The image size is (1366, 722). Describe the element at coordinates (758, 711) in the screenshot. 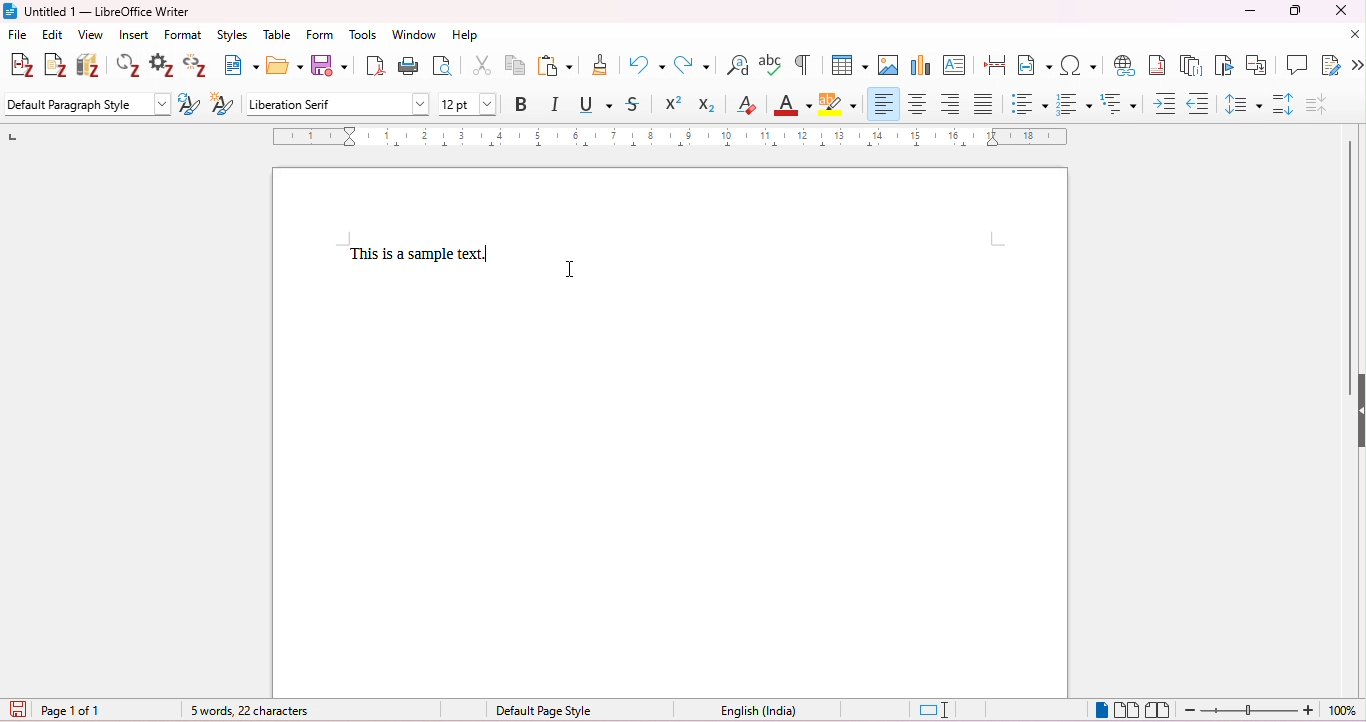

I see `language` at that location.